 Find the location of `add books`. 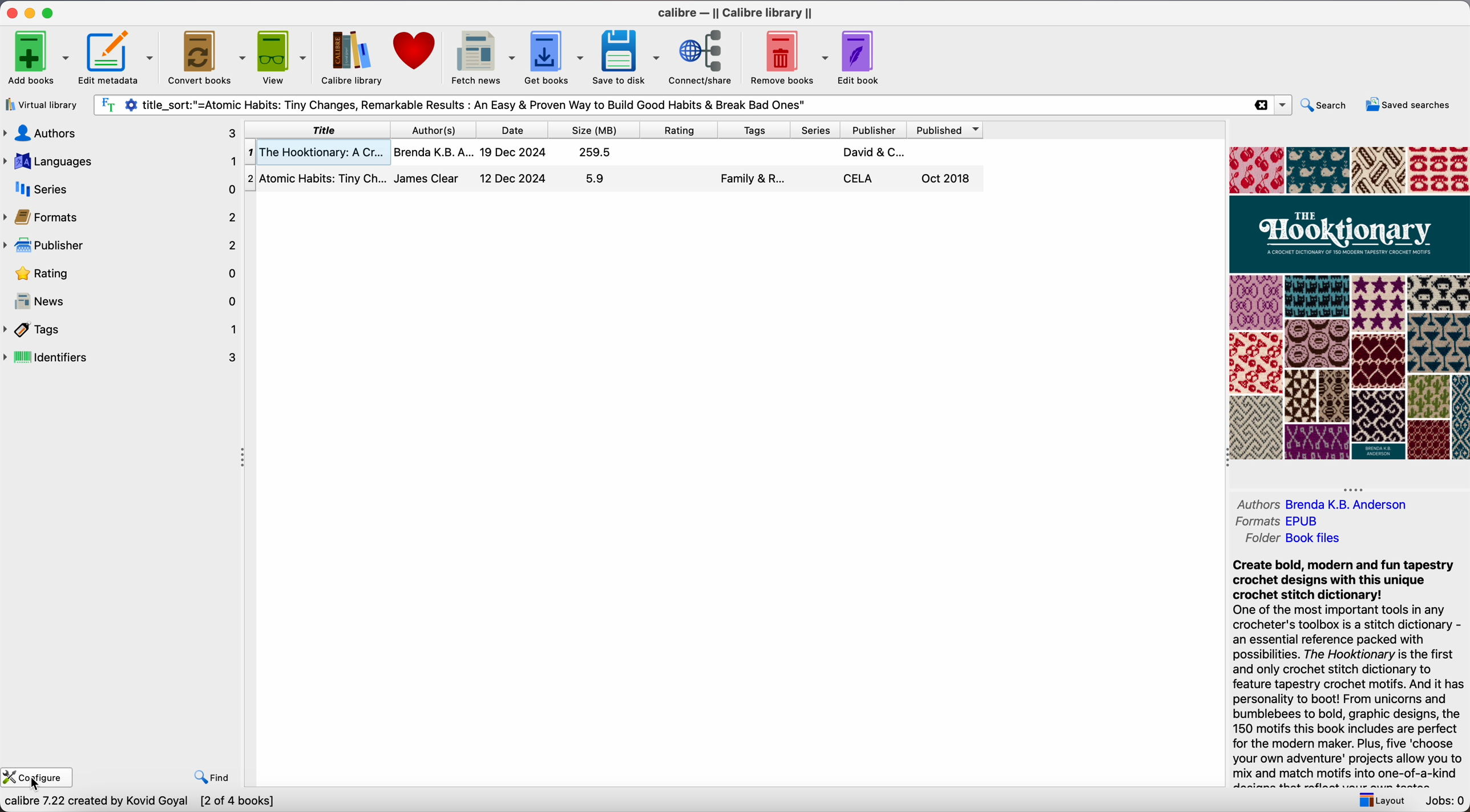

add books is located at coordinates (37, 59).